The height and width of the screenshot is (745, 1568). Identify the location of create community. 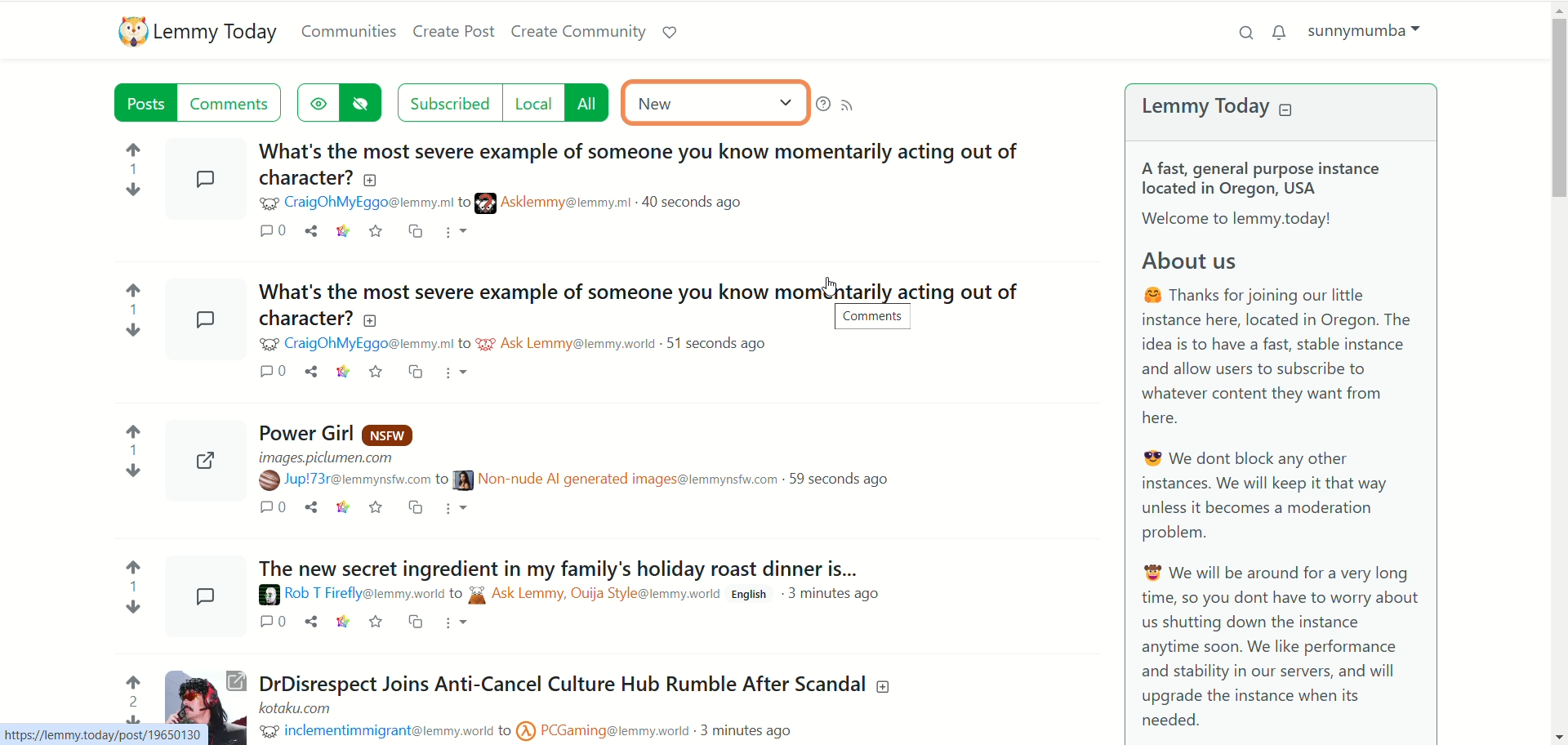
(579, 29).